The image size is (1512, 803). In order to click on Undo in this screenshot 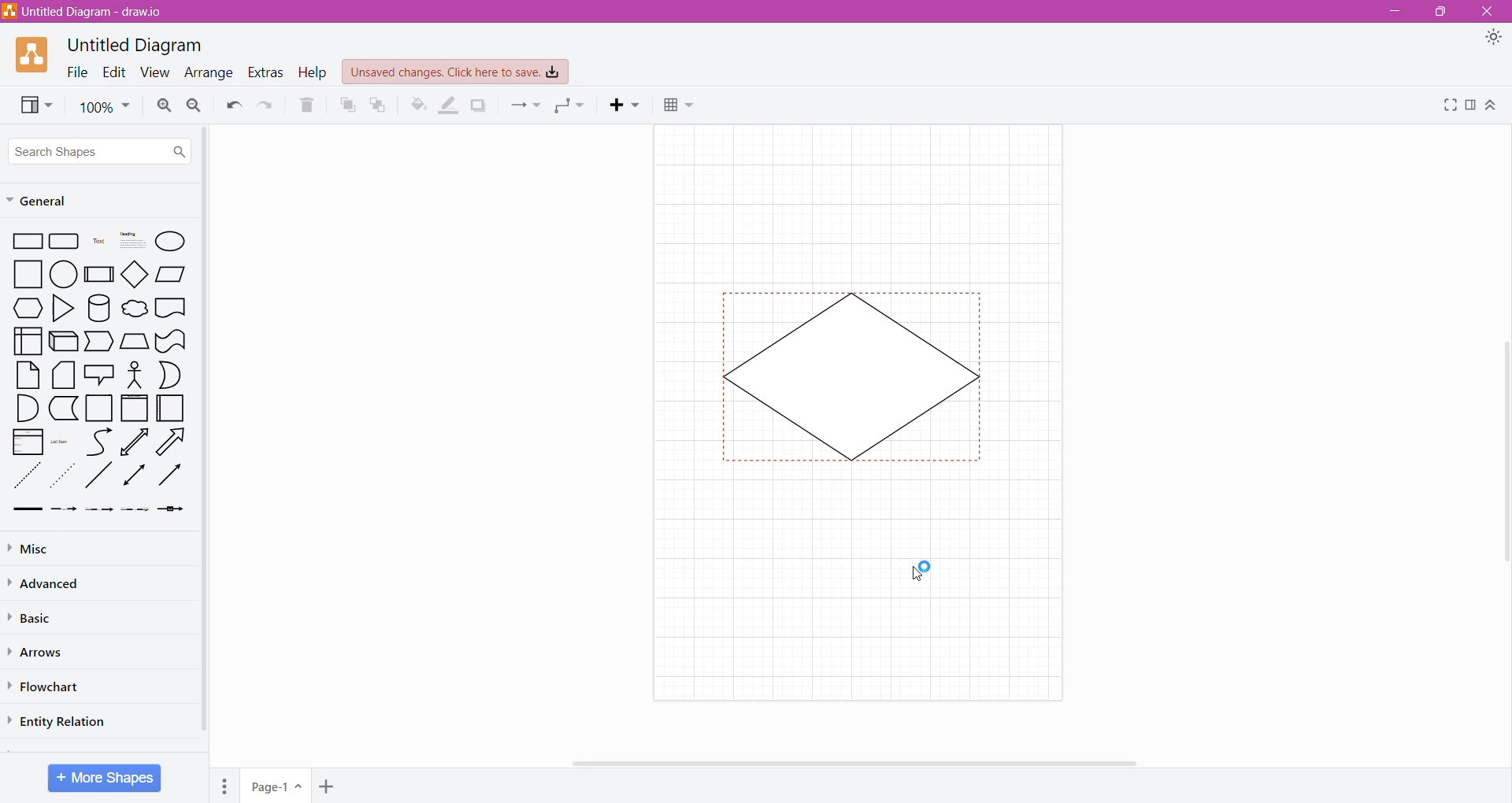, I will do `click(234, 105)`.